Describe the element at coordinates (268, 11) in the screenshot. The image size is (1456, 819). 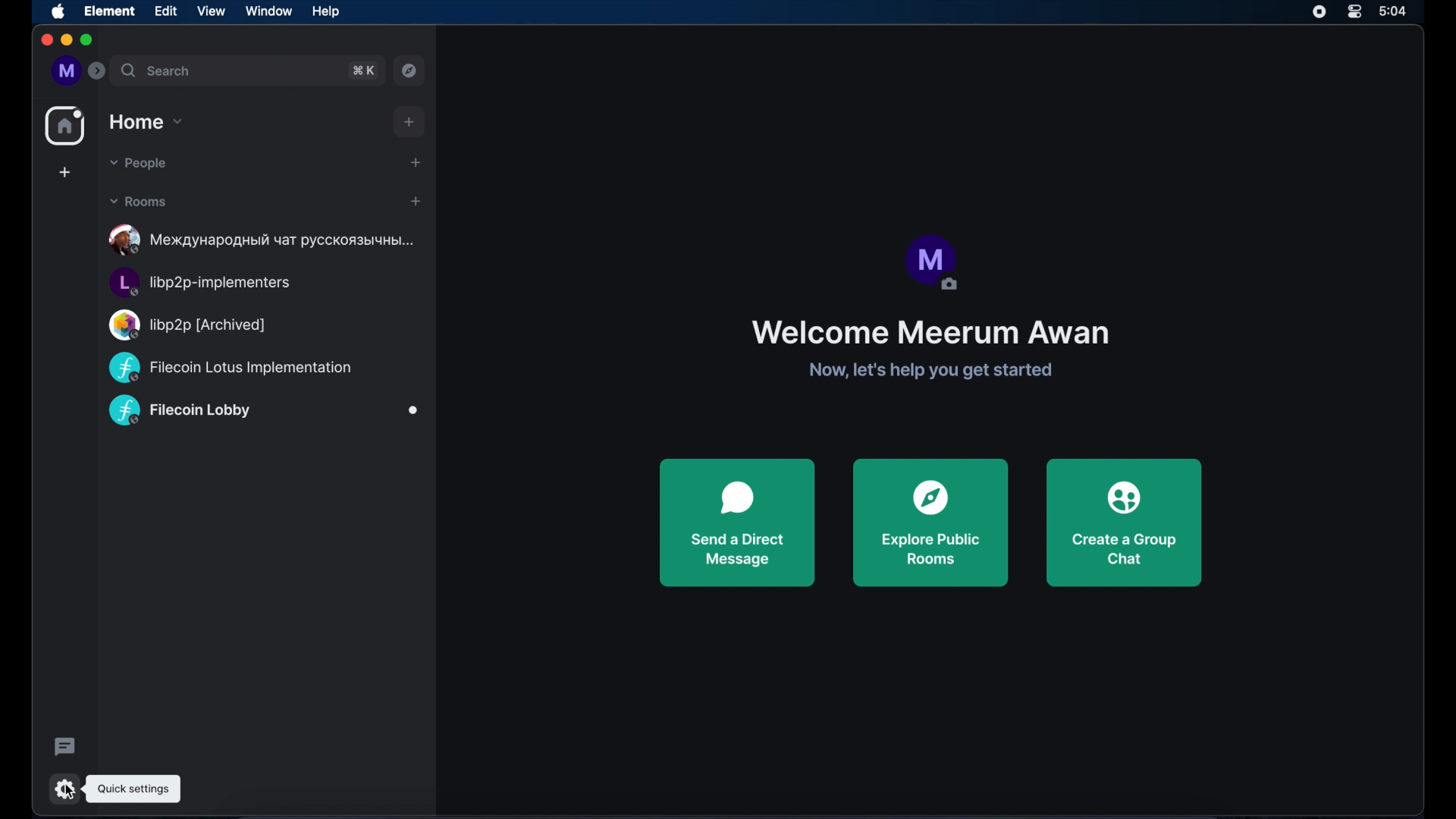
I see `window` at that location.